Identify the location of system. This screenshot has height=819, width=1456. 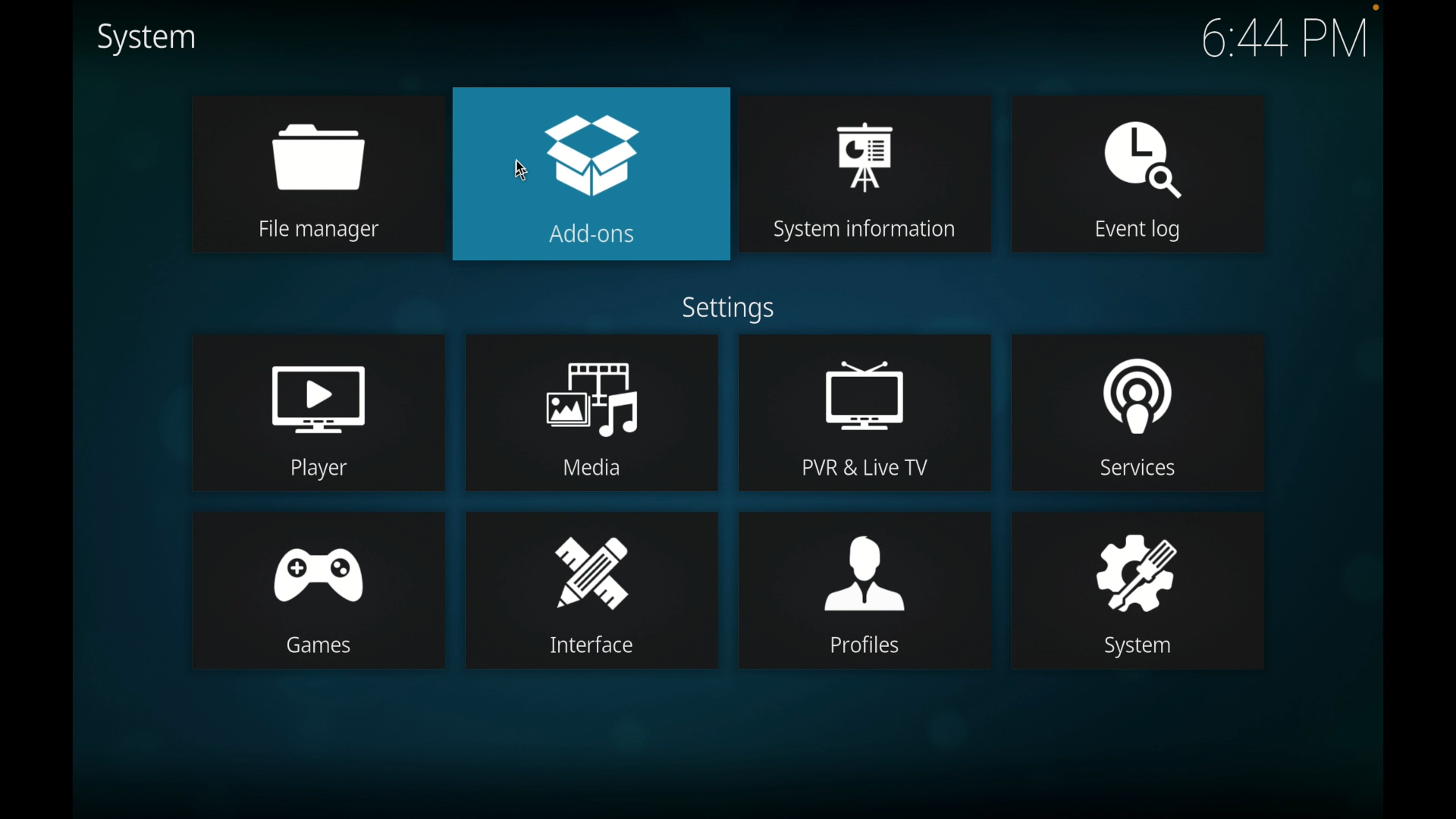
(146, 39).